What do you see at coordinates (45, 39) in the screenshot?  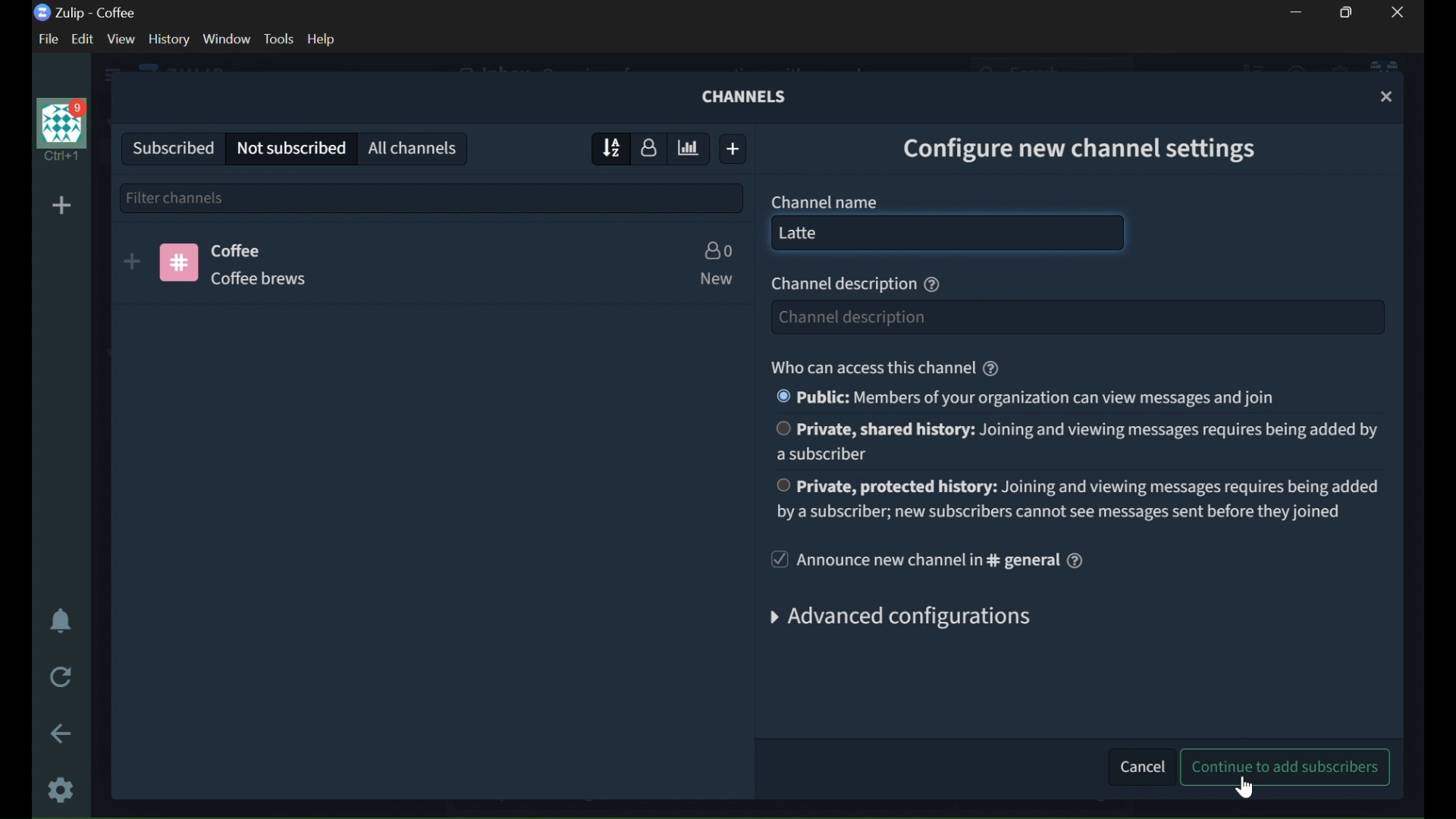 I see `FILE` at bounding box center [45, 39].